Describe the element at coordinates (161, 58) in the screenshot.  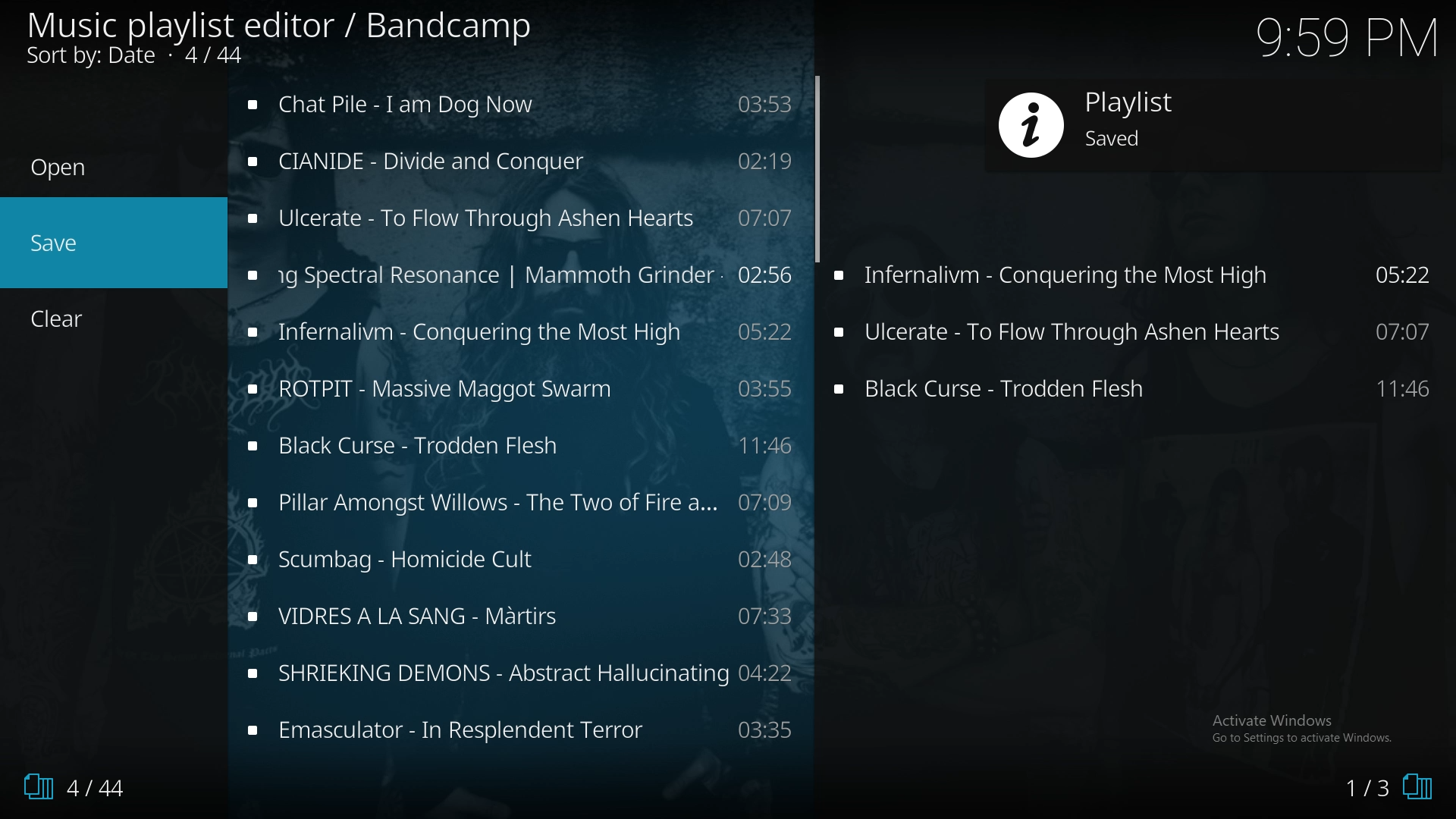
I see `Sort by: Date • 5/44` at that location.